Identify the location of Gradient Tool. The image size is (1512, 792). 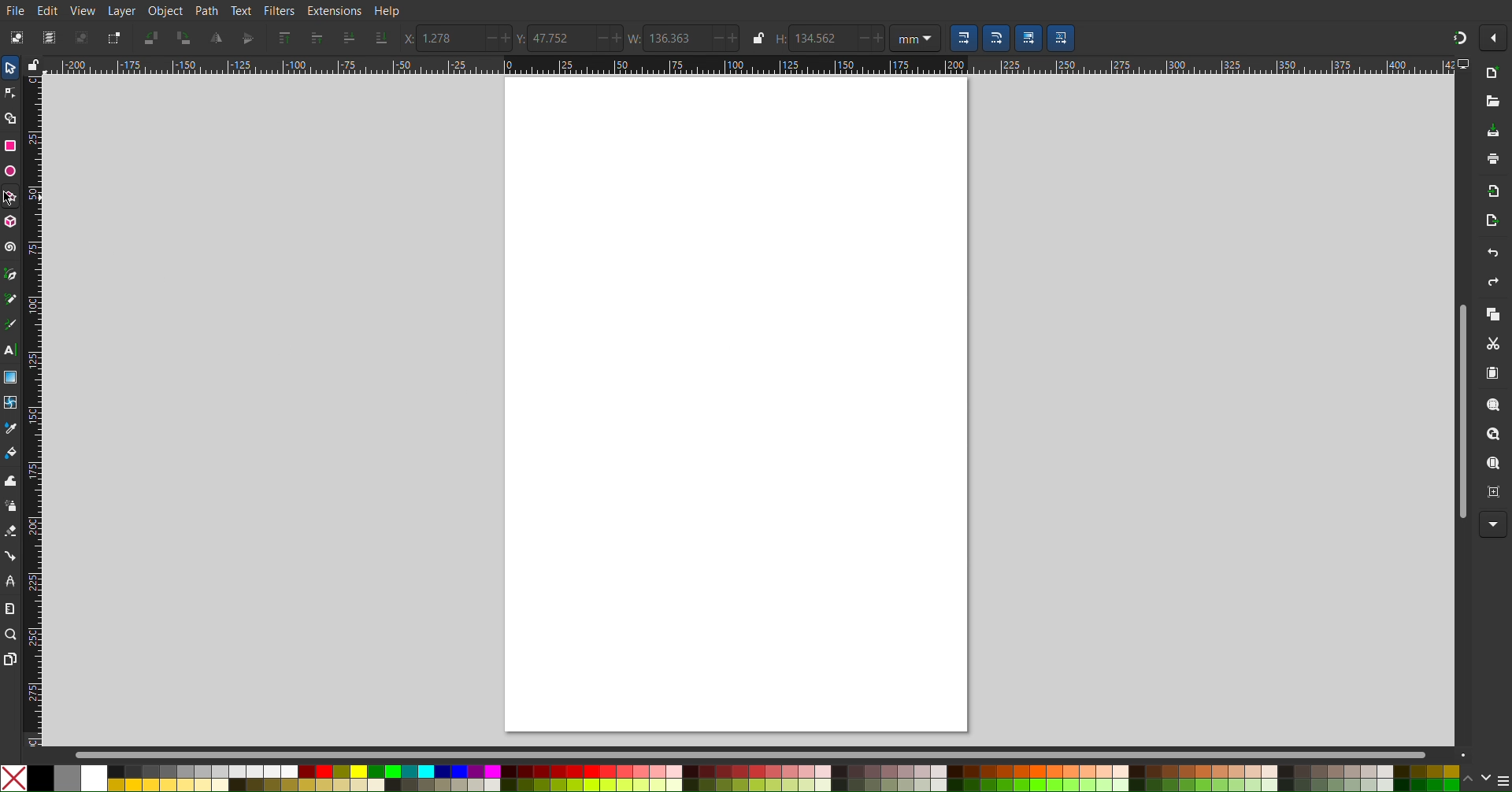
(11, 376).